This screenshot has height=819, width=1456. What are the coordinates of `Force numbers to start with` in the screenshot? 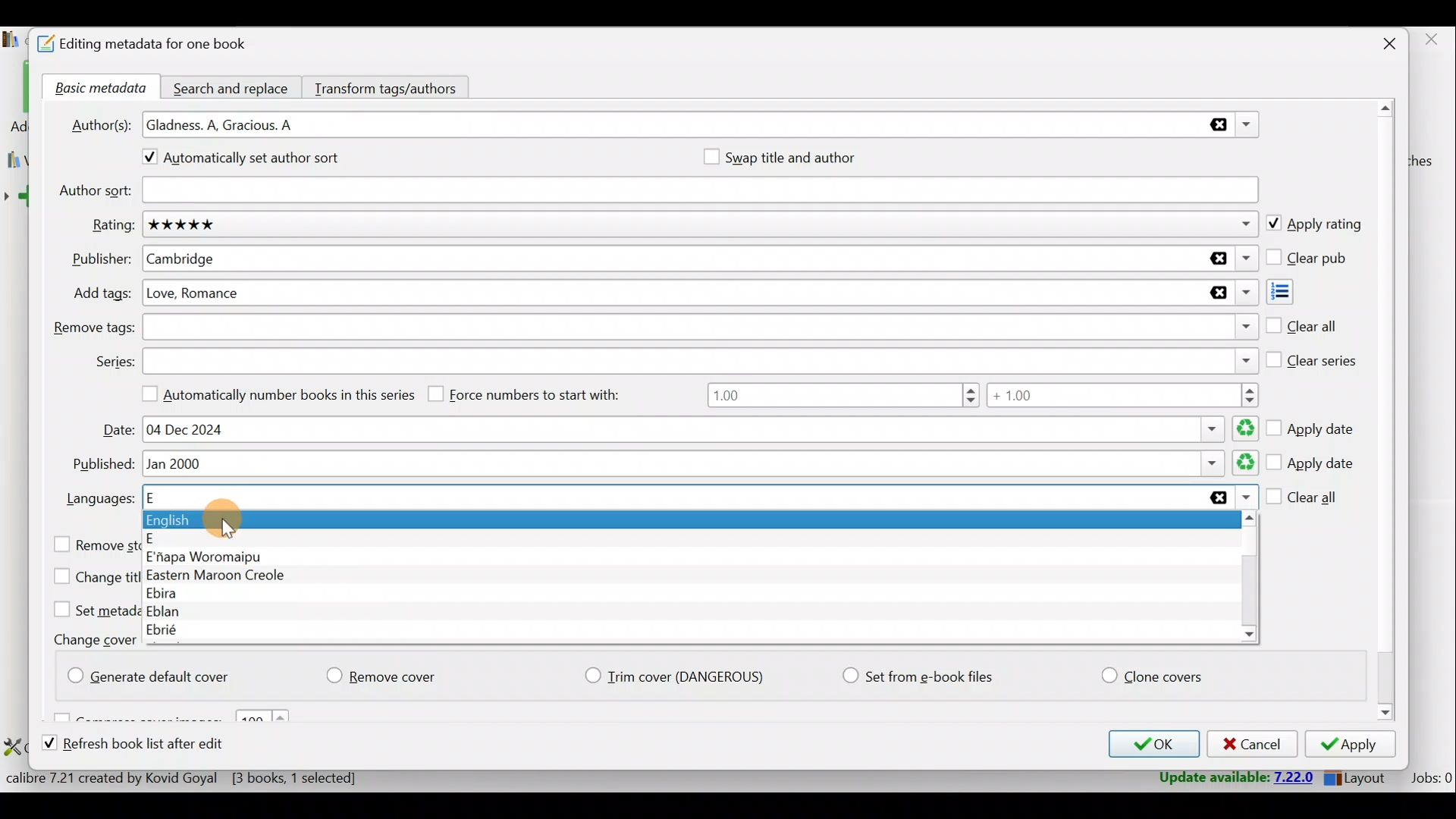 It's located at (535, 394).